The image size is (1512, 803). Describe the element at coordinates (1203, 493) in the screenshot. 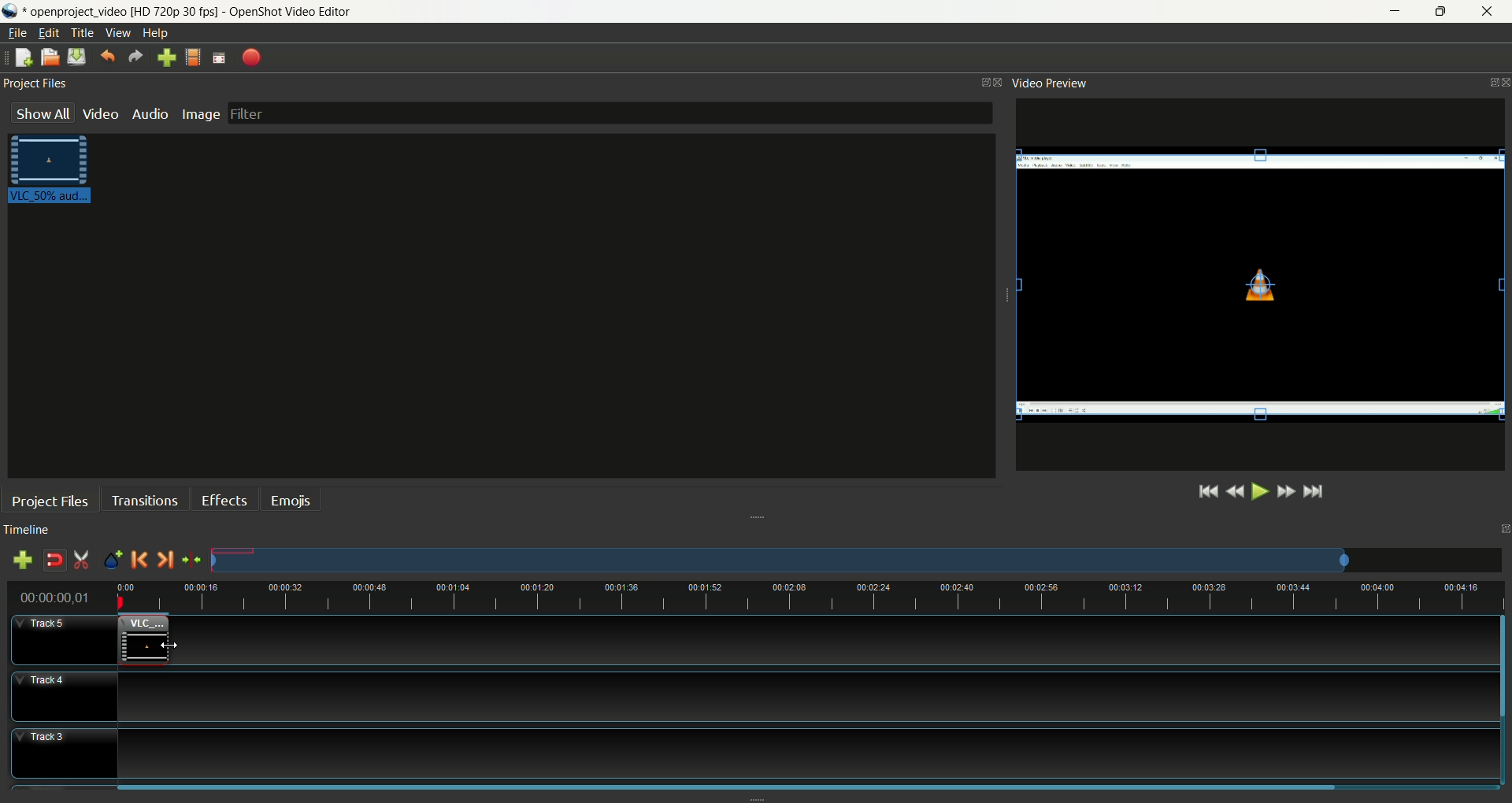

I see `jump to the start` at that location.